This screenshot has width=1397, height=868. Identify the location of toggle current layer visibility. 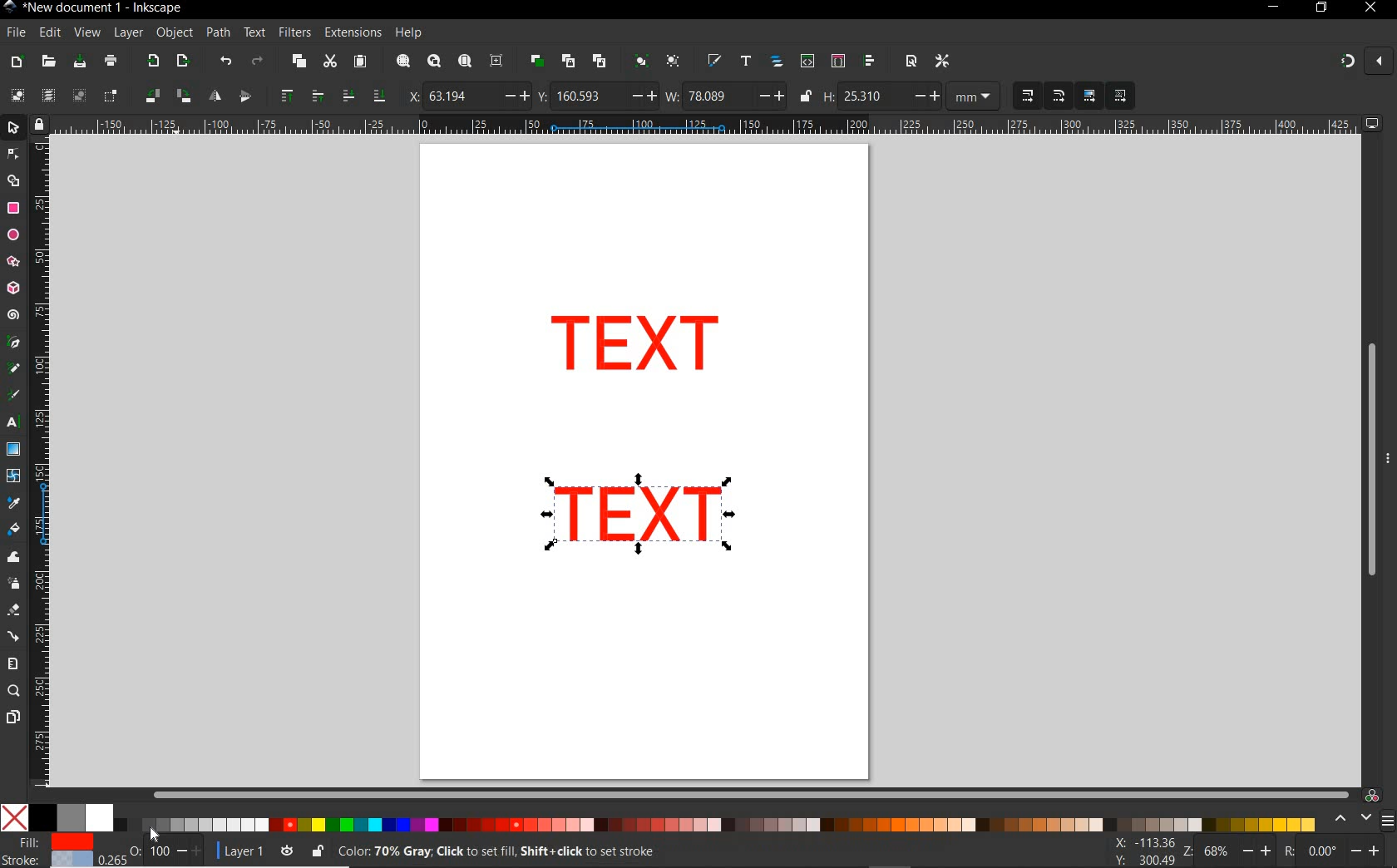
(287, 848).